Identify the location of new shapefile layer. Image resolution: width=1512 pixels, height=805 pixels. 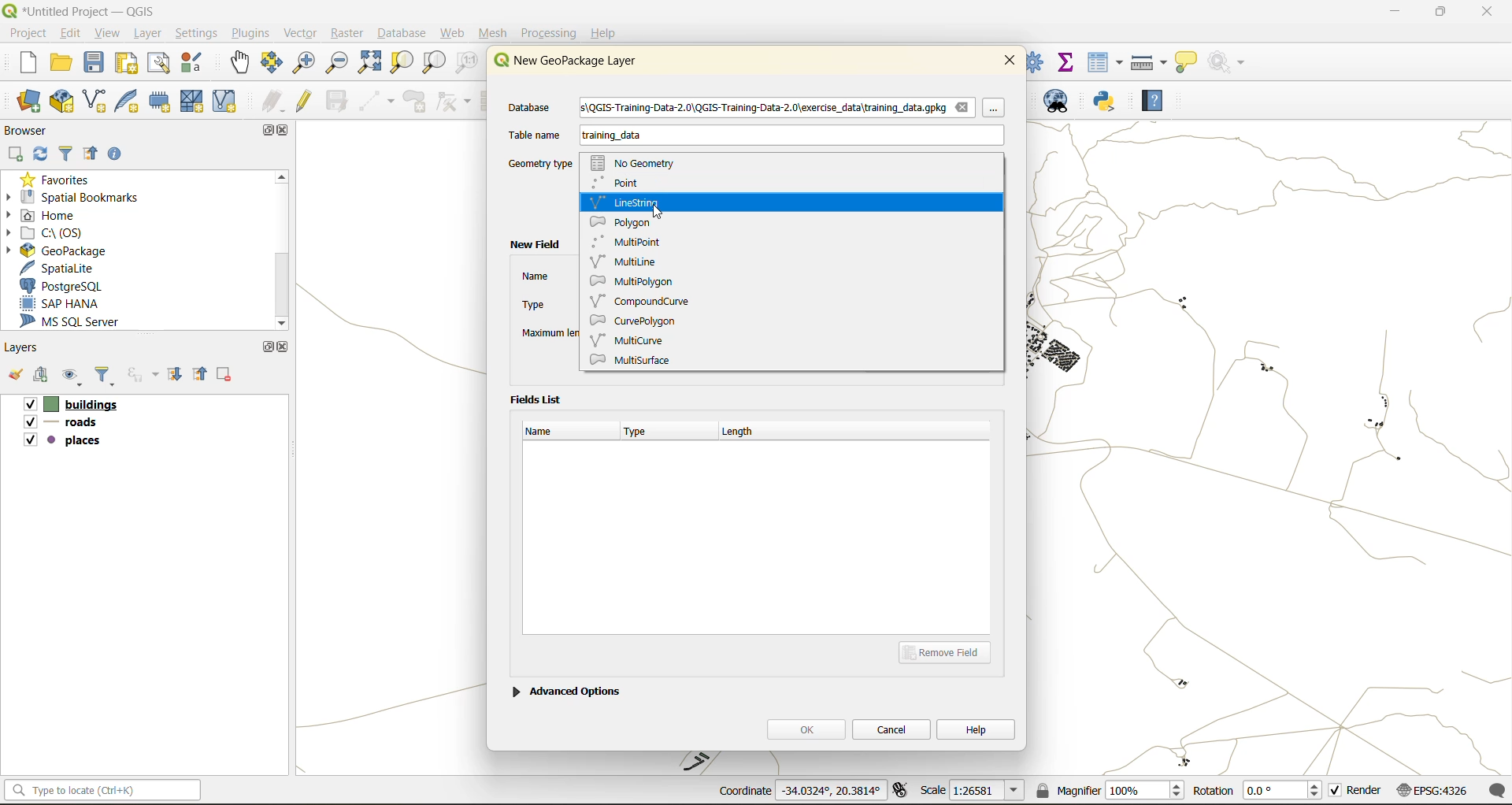
(95, 102).